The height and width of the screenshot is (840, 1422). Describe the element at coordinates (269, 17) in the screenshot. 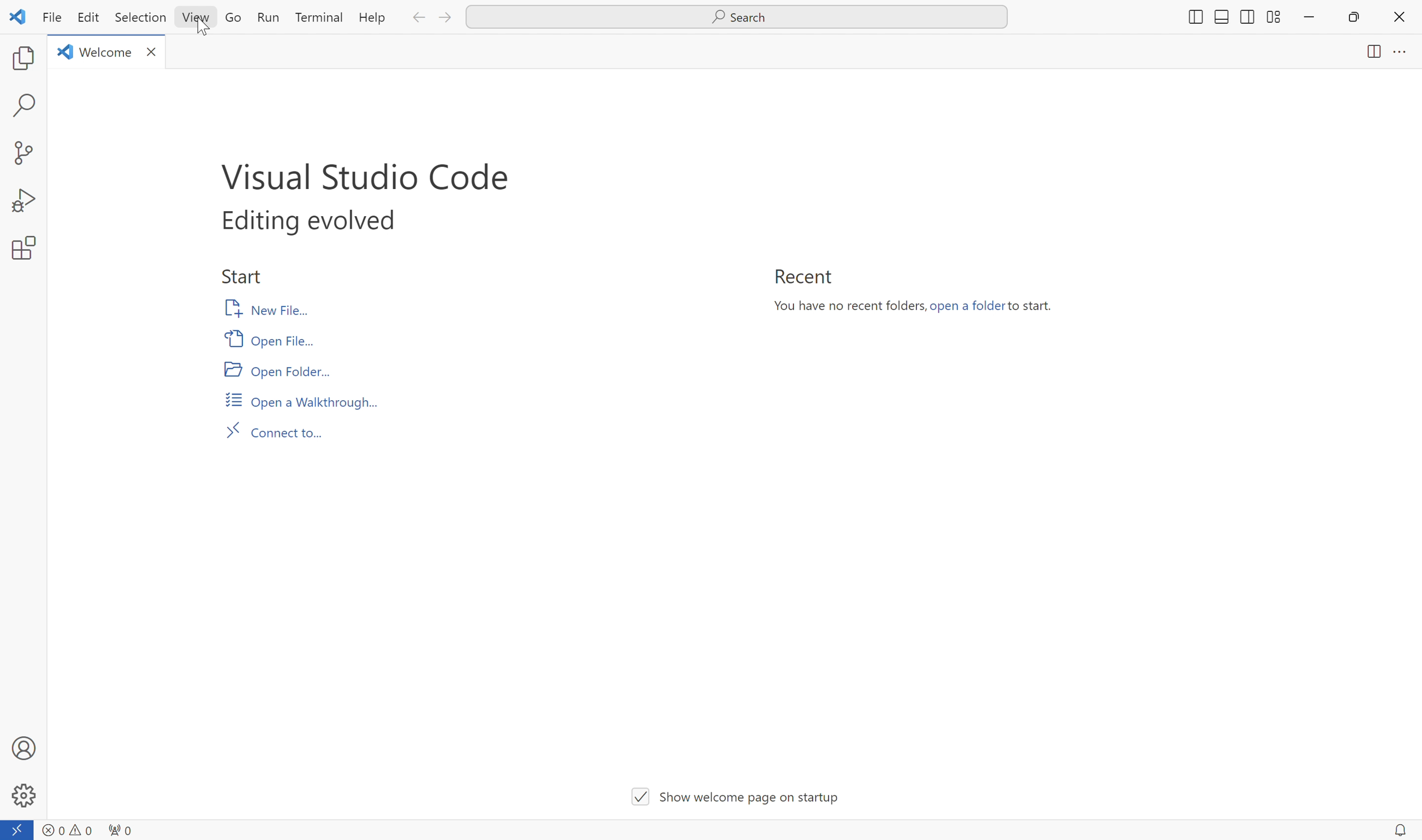

I see `Run` at that location.